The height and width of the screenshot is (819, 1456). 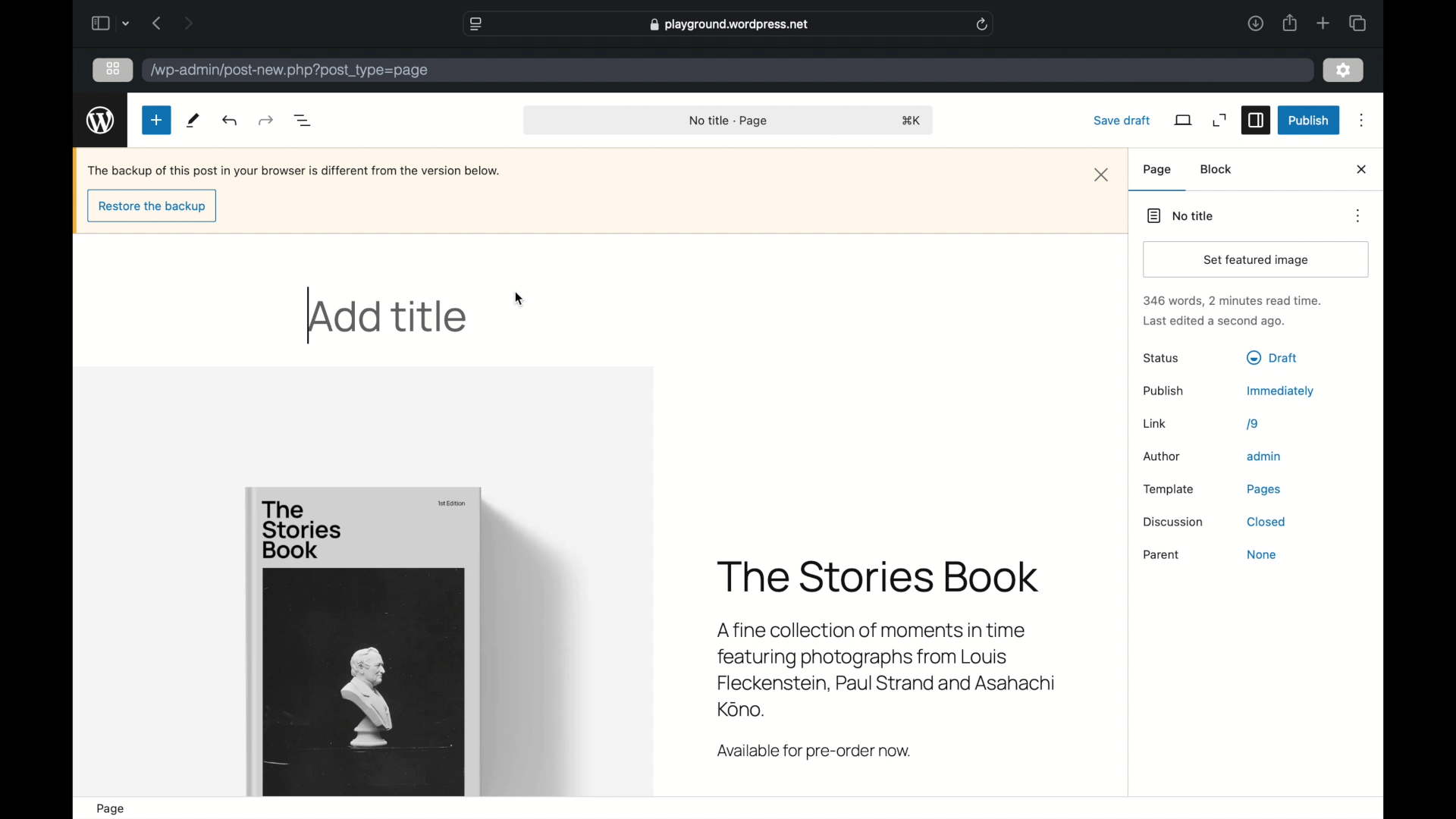 I want to click on close, so click(x=1103, y=175).